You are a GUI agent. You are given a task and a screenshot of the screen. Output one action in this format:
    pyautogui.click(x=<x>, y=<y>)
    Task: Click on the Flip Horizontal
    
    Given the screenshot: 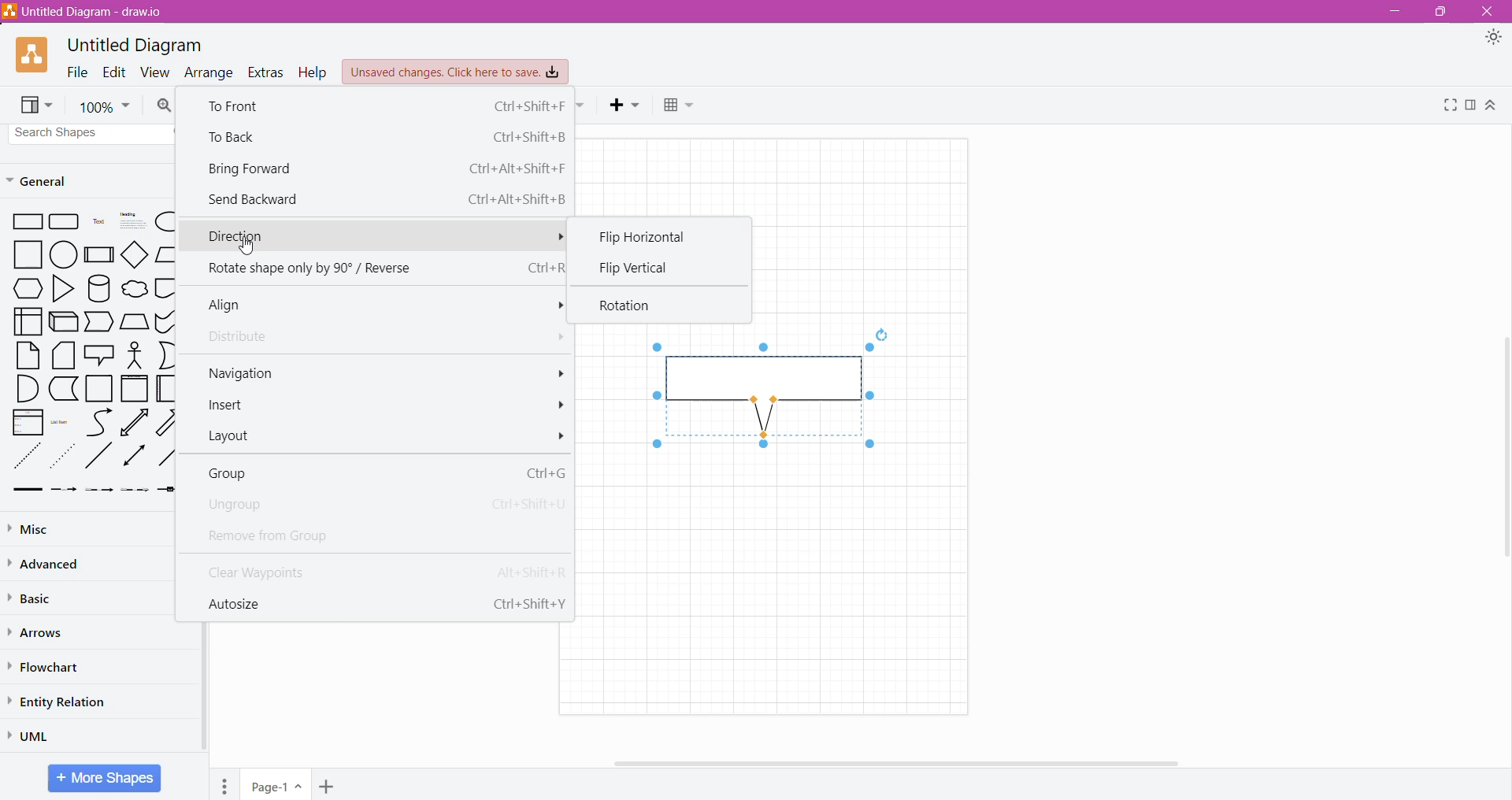 What is the action you would take?
    pyautogui.click(x=654, y=236)
    